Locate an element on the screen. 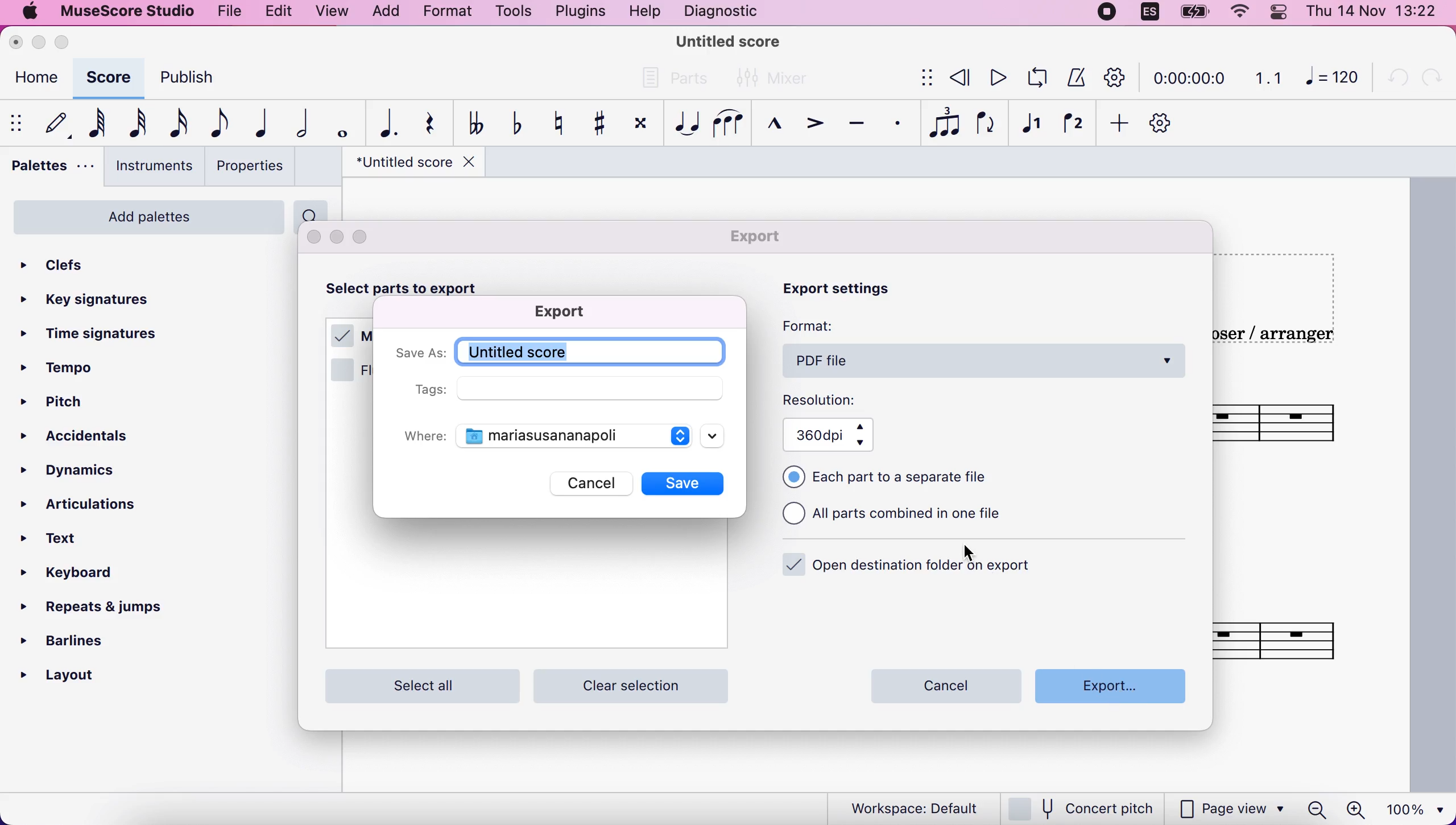 This screenshot has width=1456, height=825. close is located at coordinates (312, 237).